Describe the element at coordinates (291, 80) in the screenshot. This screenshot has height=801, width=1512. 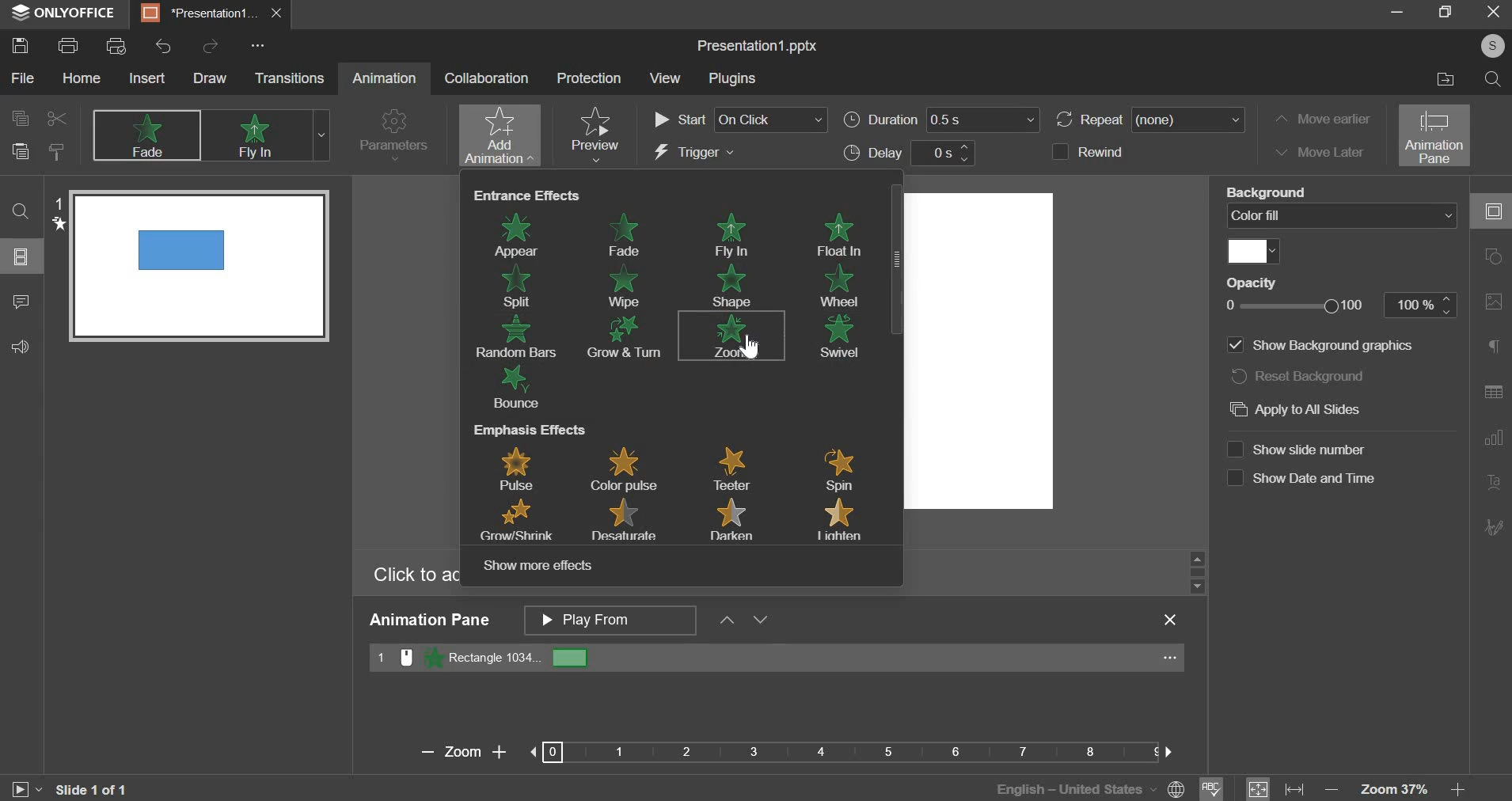
I see `transitions` at that location.